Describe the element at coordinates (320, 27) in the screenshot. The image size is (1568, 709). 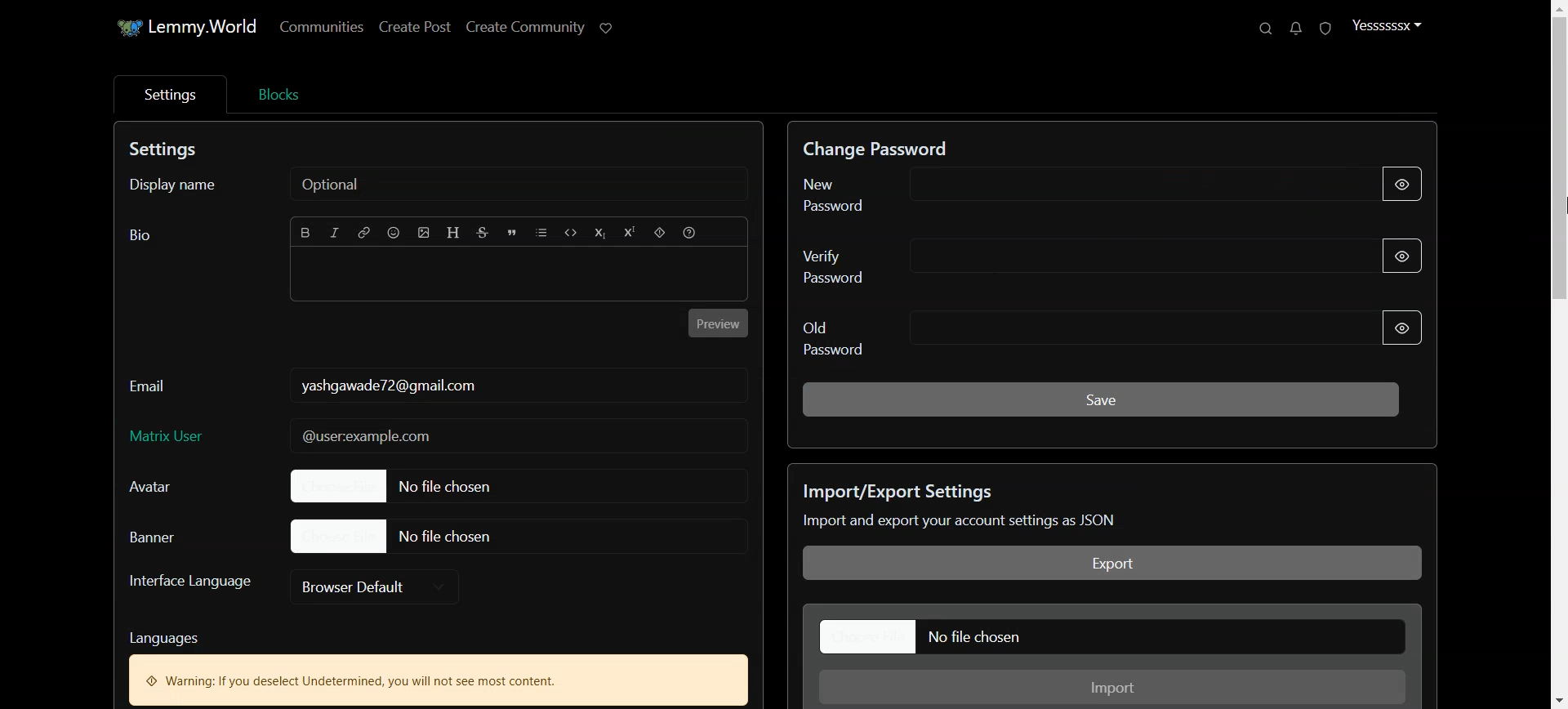
I see `Communities` at that location.